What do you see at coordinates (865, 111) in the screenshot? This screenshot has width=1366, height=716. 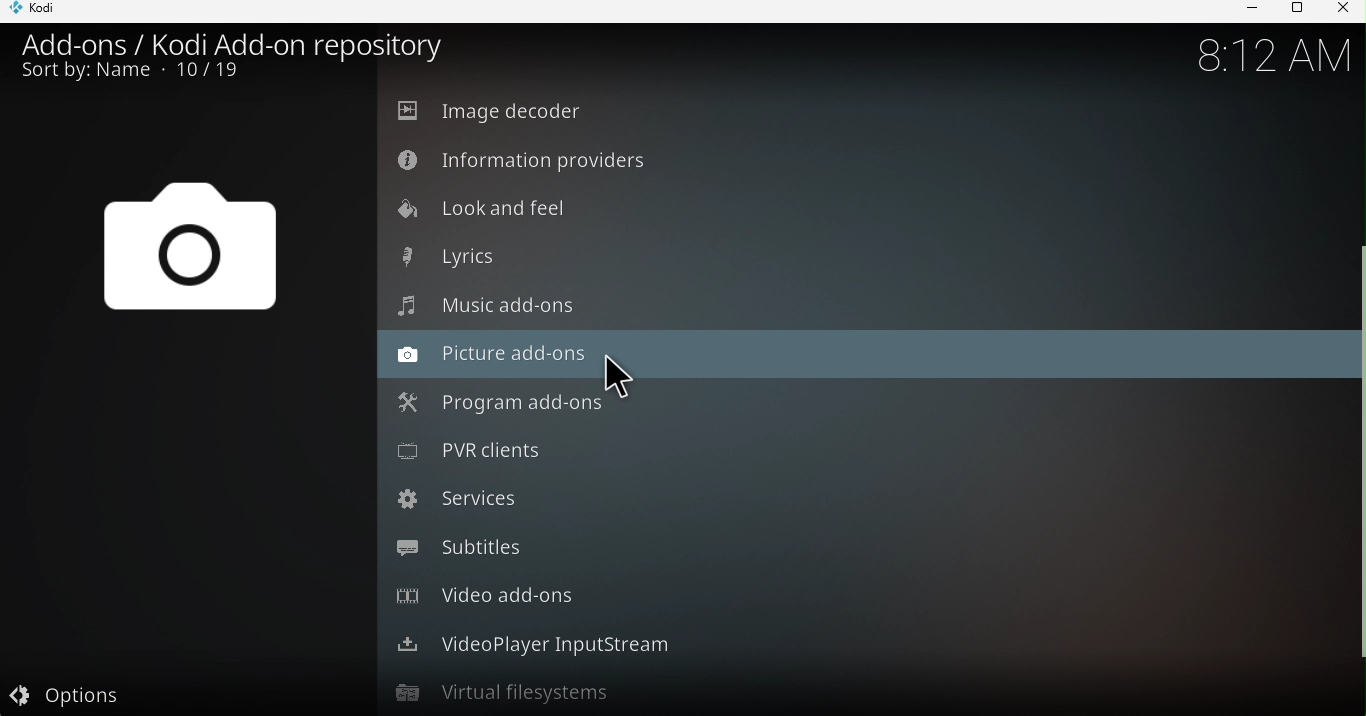 I see `Image decoder` at bounding box center [865, 111].